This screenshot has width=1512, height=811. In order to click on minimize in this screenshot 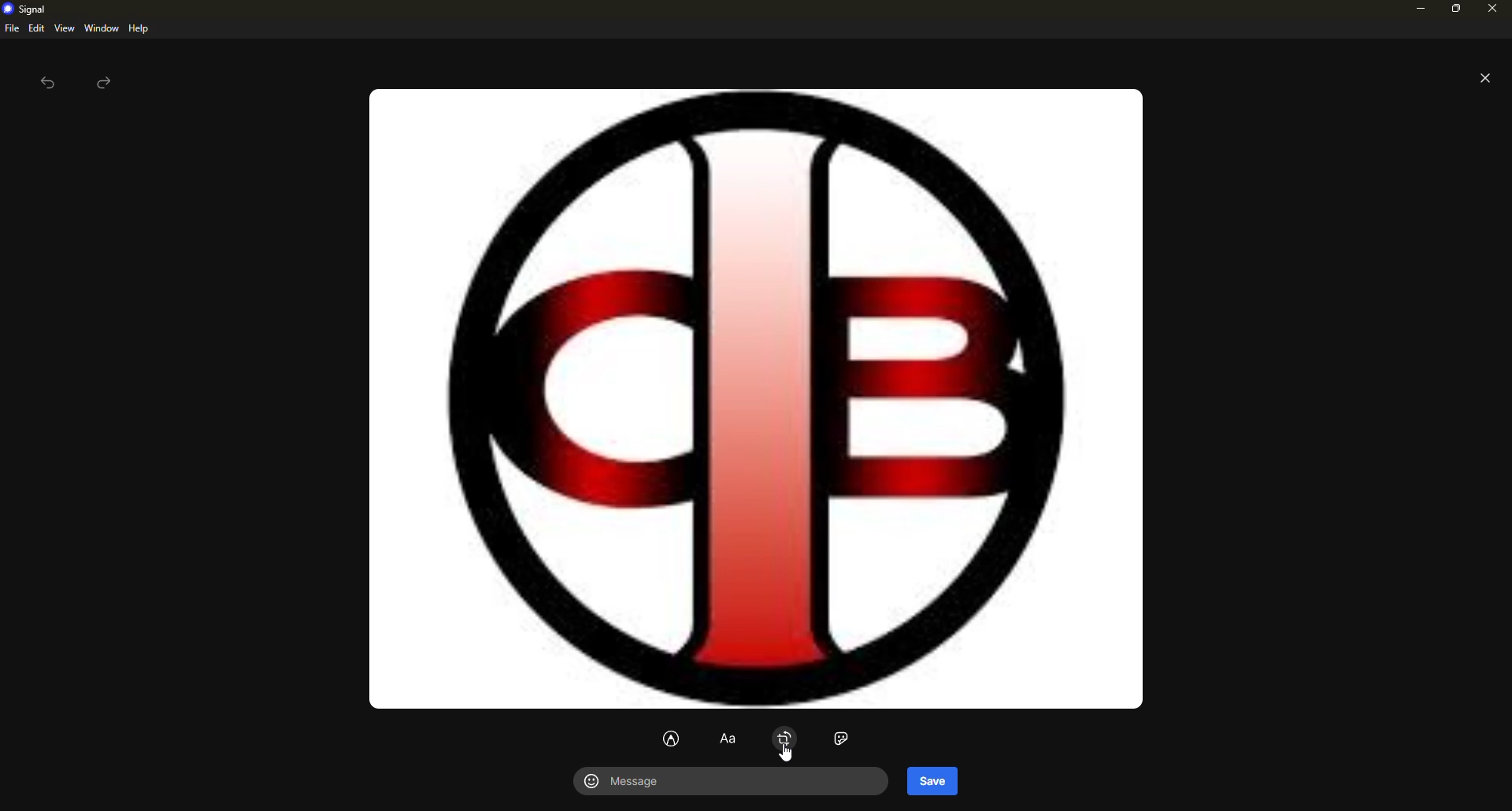, I will do `click(1414, 8)`.